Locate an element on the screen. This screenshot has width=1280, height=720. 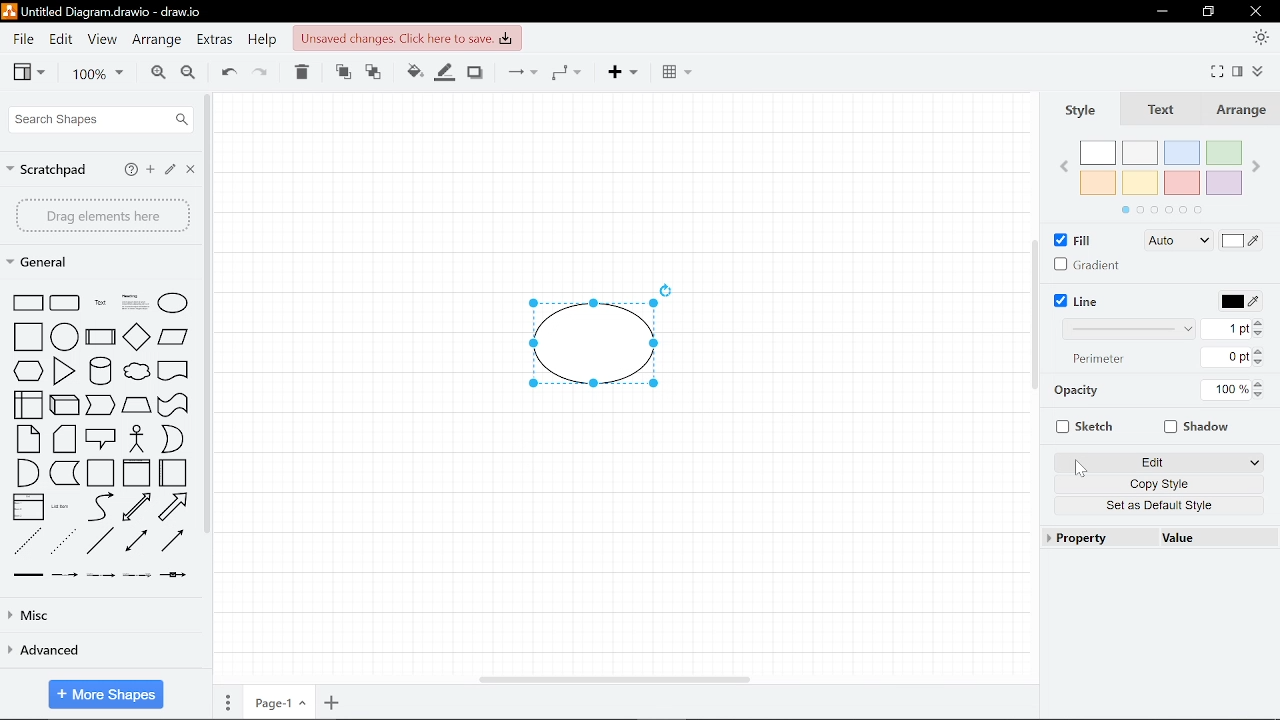
connector is located at coordinates (174, 542).